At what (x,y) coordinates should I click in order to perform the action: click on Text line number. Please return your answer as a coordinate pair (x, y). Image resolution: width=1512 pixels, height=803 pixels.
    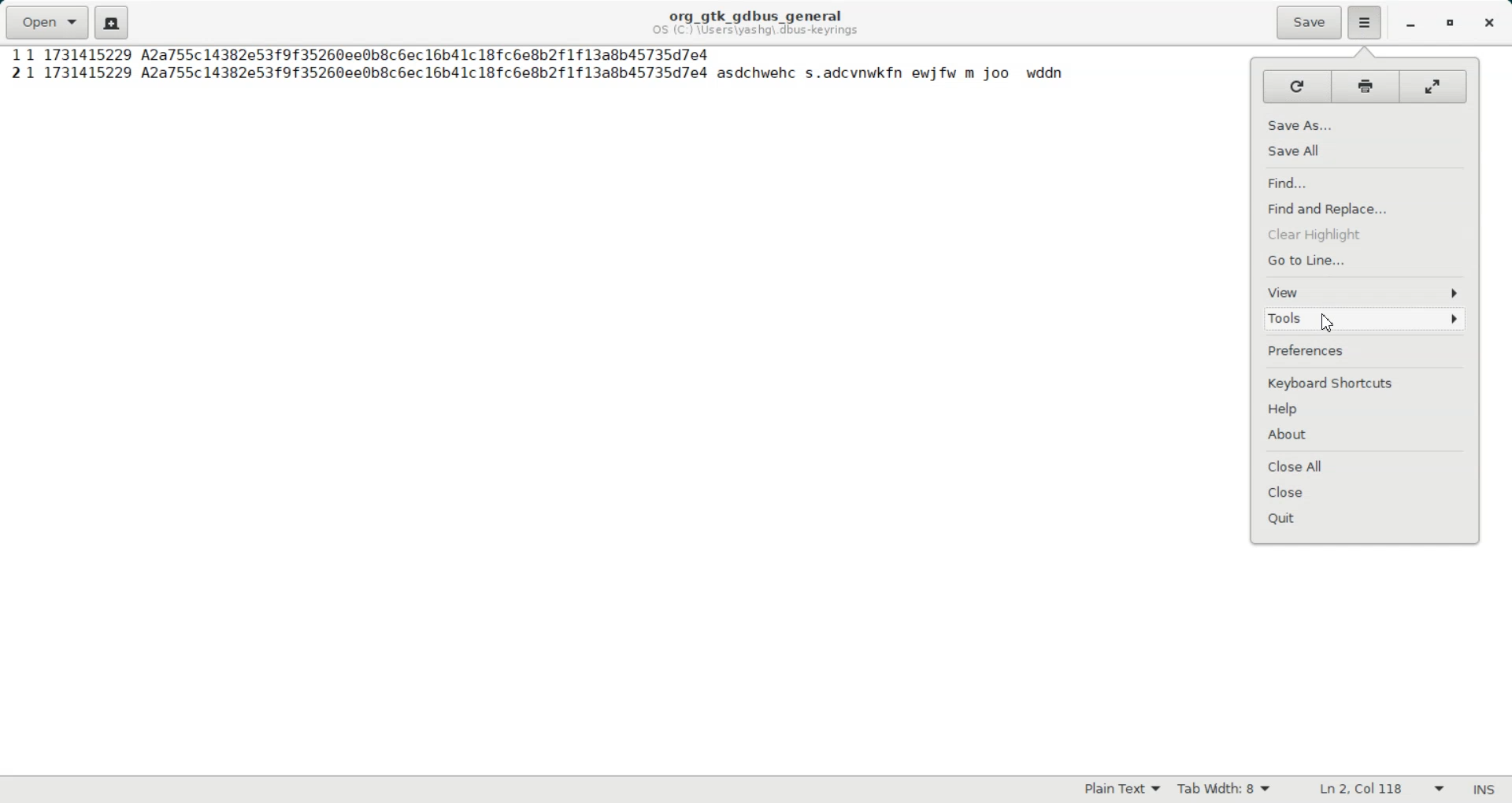
    Looking at the image, I should click on (10, 66).